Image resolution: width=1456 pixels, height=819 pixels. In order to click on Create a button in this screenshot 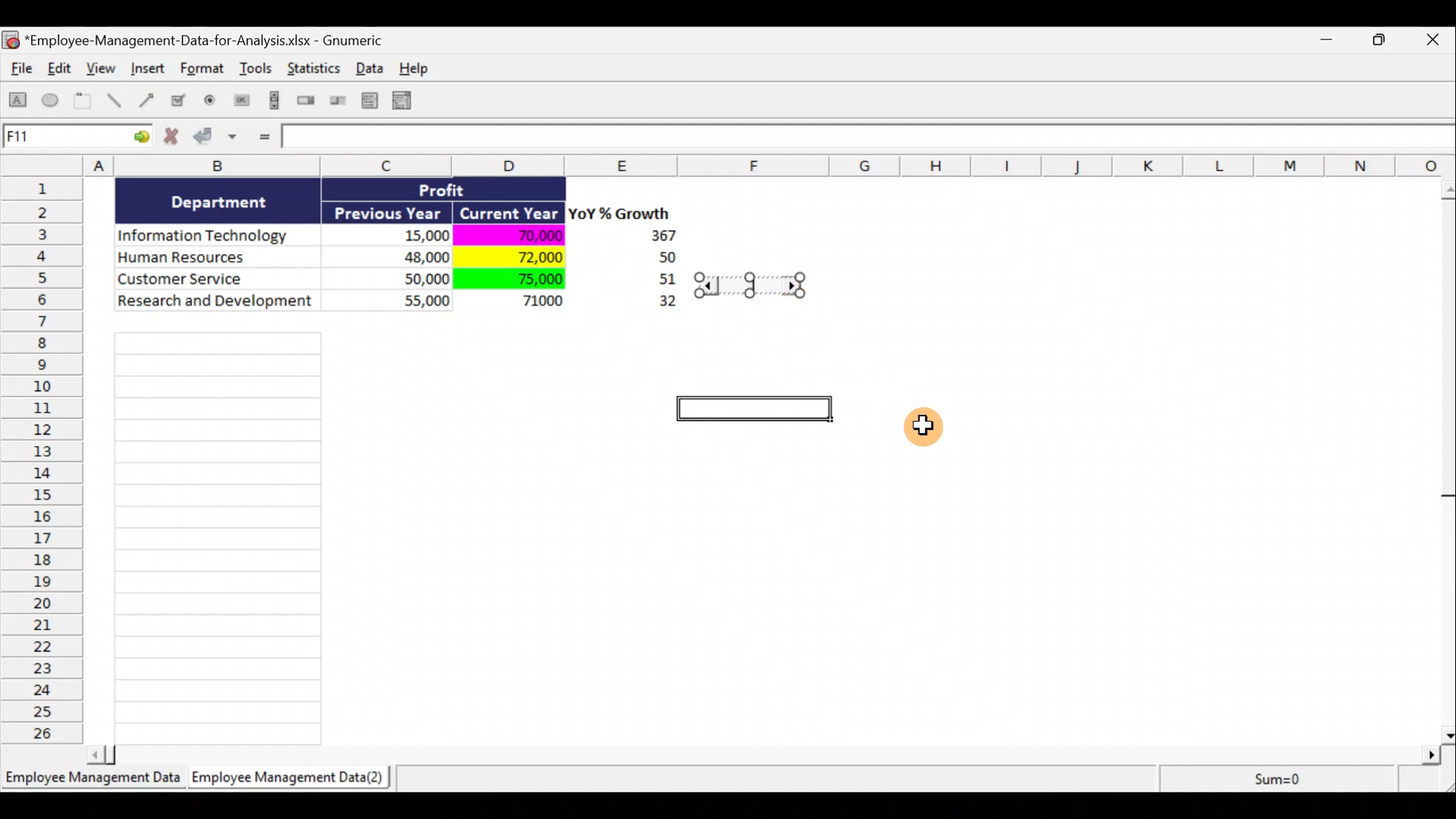, I will do `click(240, 104)`.